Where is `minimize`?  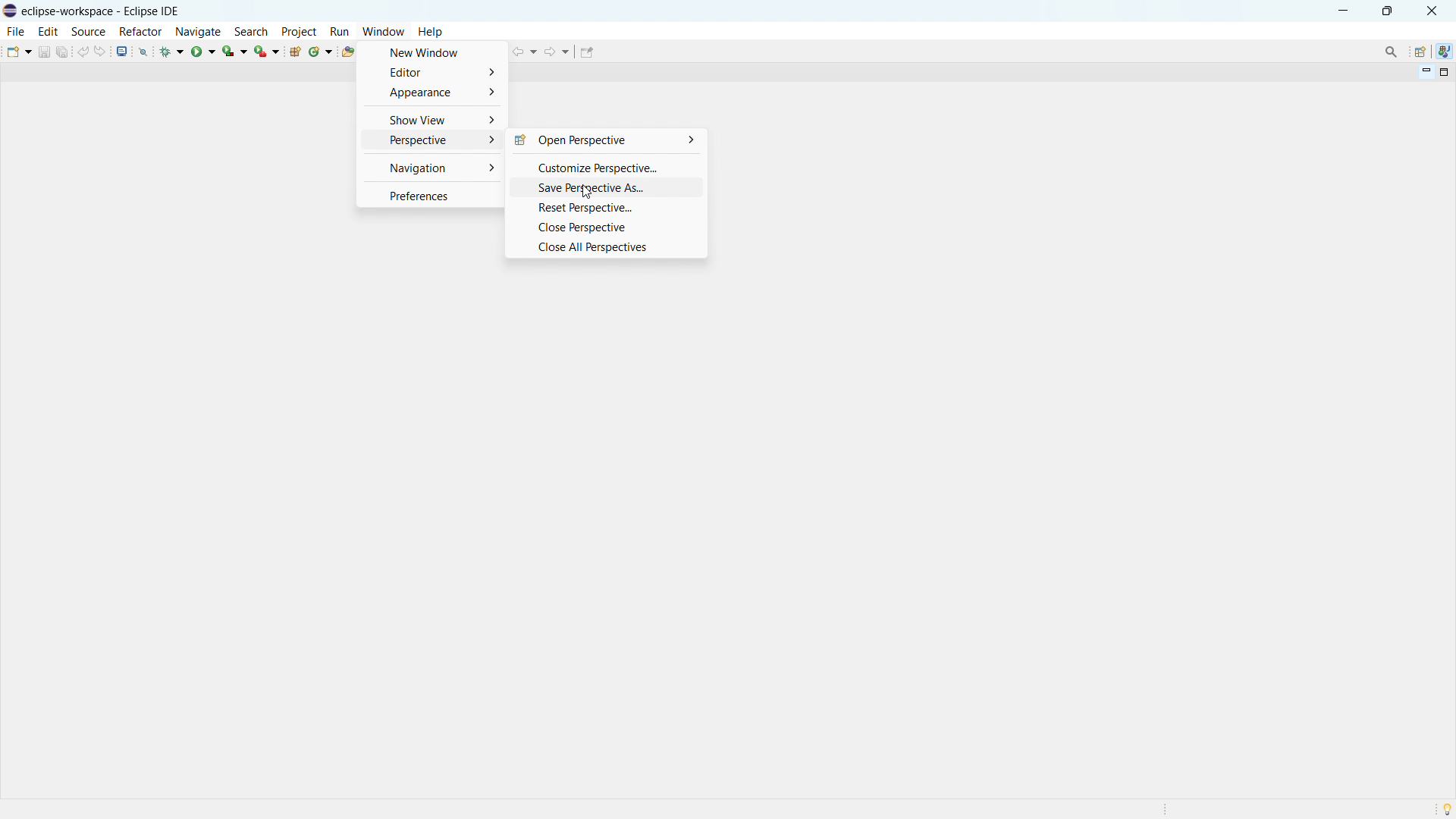
minimize is located at coordinates (1344, 10).